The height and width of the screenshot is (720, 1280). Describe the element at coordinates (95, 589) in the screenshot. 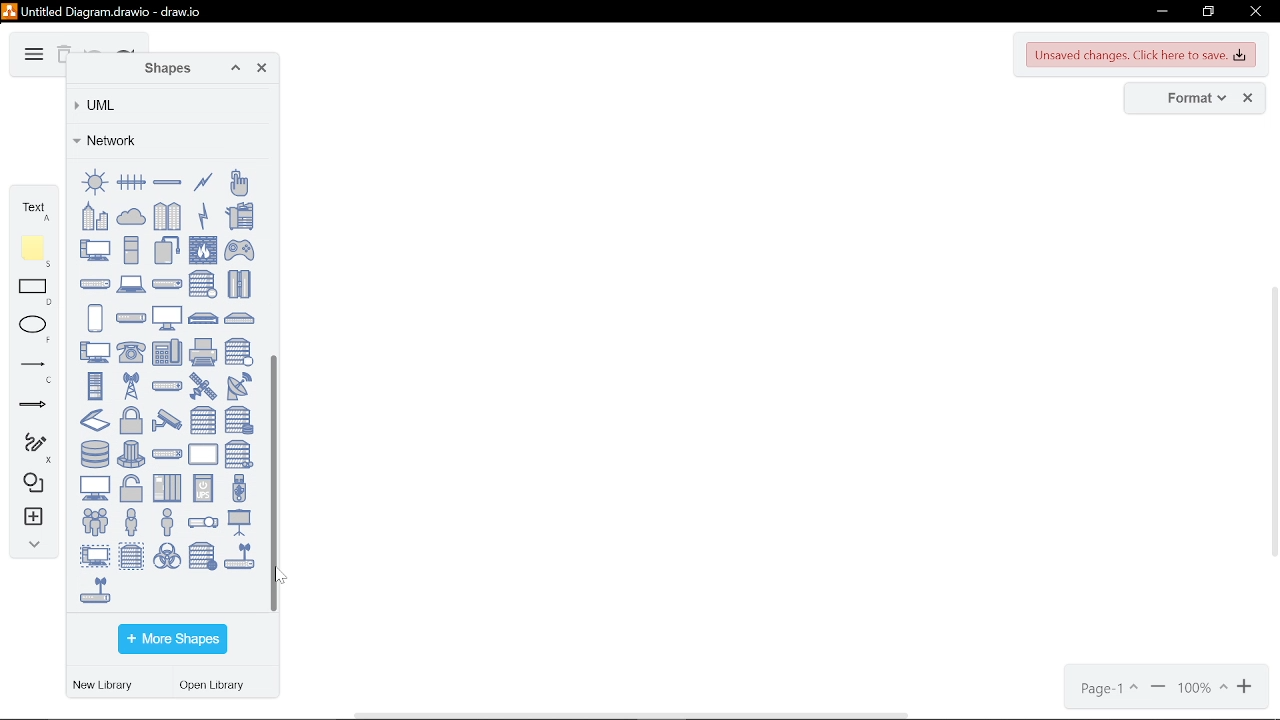

I see `wireless modem` at that location.